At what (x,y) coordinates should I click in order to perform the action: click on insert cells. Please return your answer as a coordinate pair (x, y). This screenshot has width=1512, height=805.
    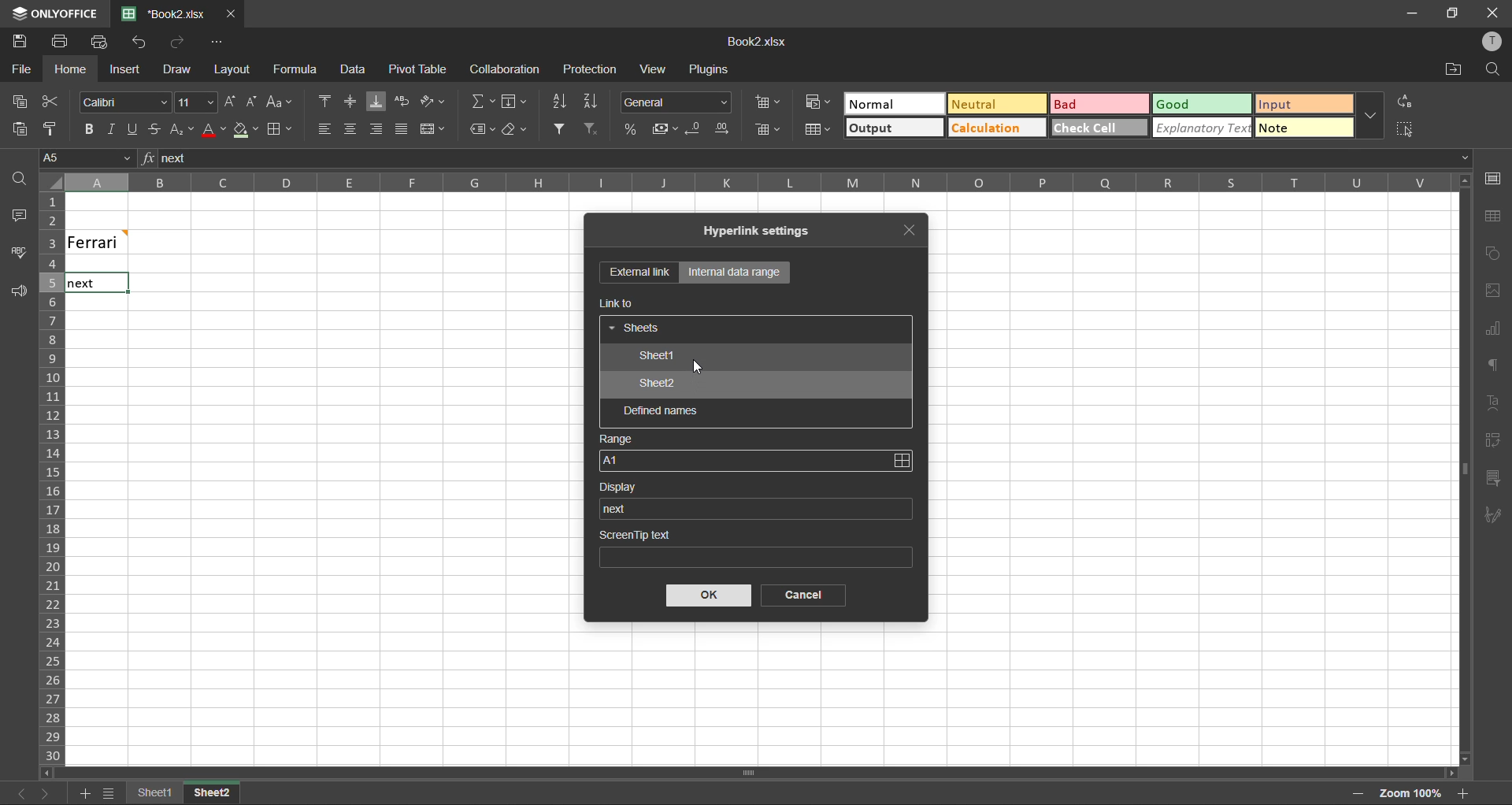
    Looking at the image, I should click on (767, 103).